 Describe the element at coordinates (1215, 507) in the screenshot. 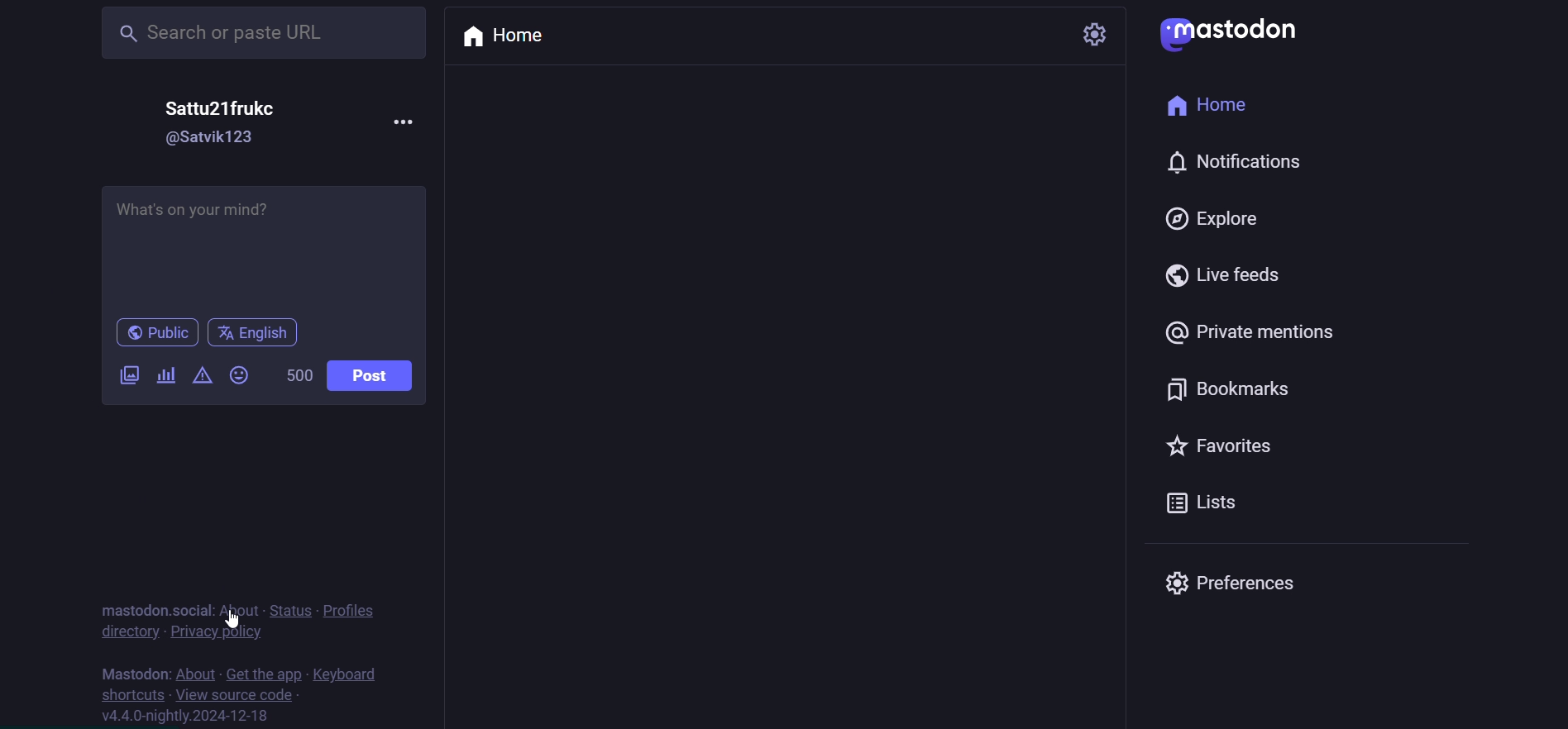

I see `list` at that location.